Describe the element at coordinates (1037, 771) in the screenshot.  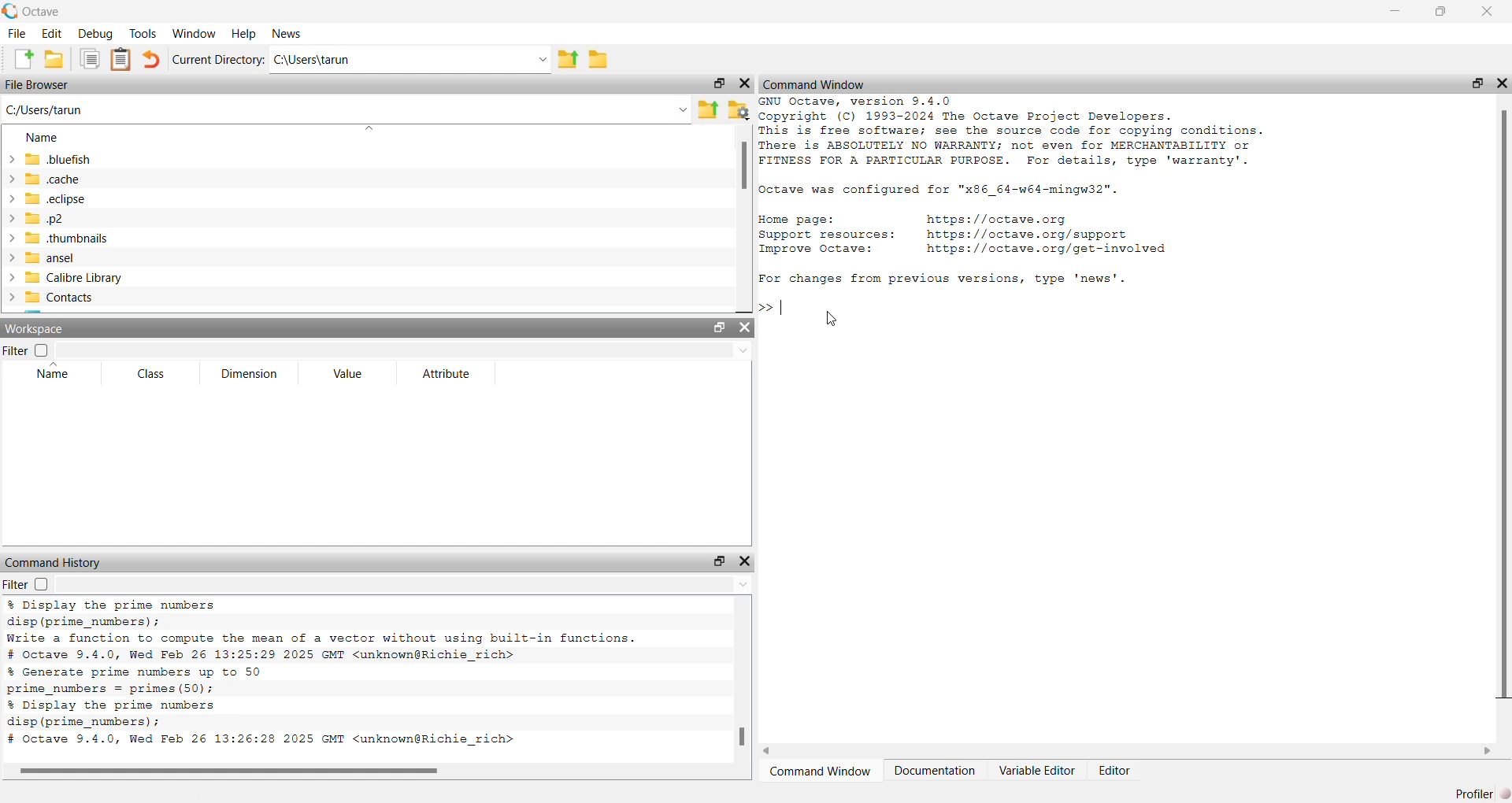
I see `Variable Editor` at that location.